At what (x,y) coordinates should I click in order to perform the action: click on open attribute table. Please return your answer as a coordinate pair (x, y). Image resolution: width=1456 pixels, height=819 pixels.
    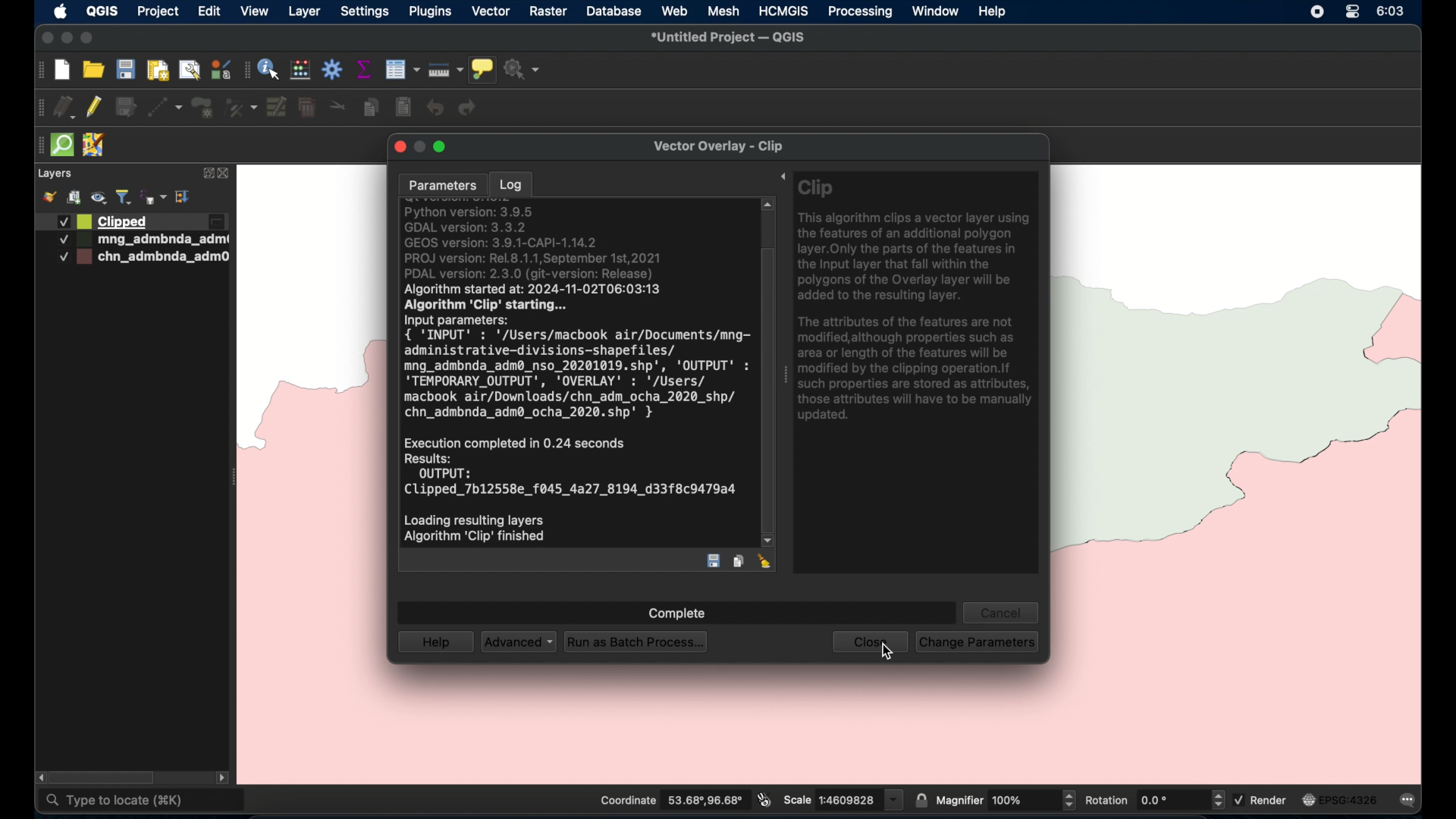
    Looking at the image, I should click on (402, 70).